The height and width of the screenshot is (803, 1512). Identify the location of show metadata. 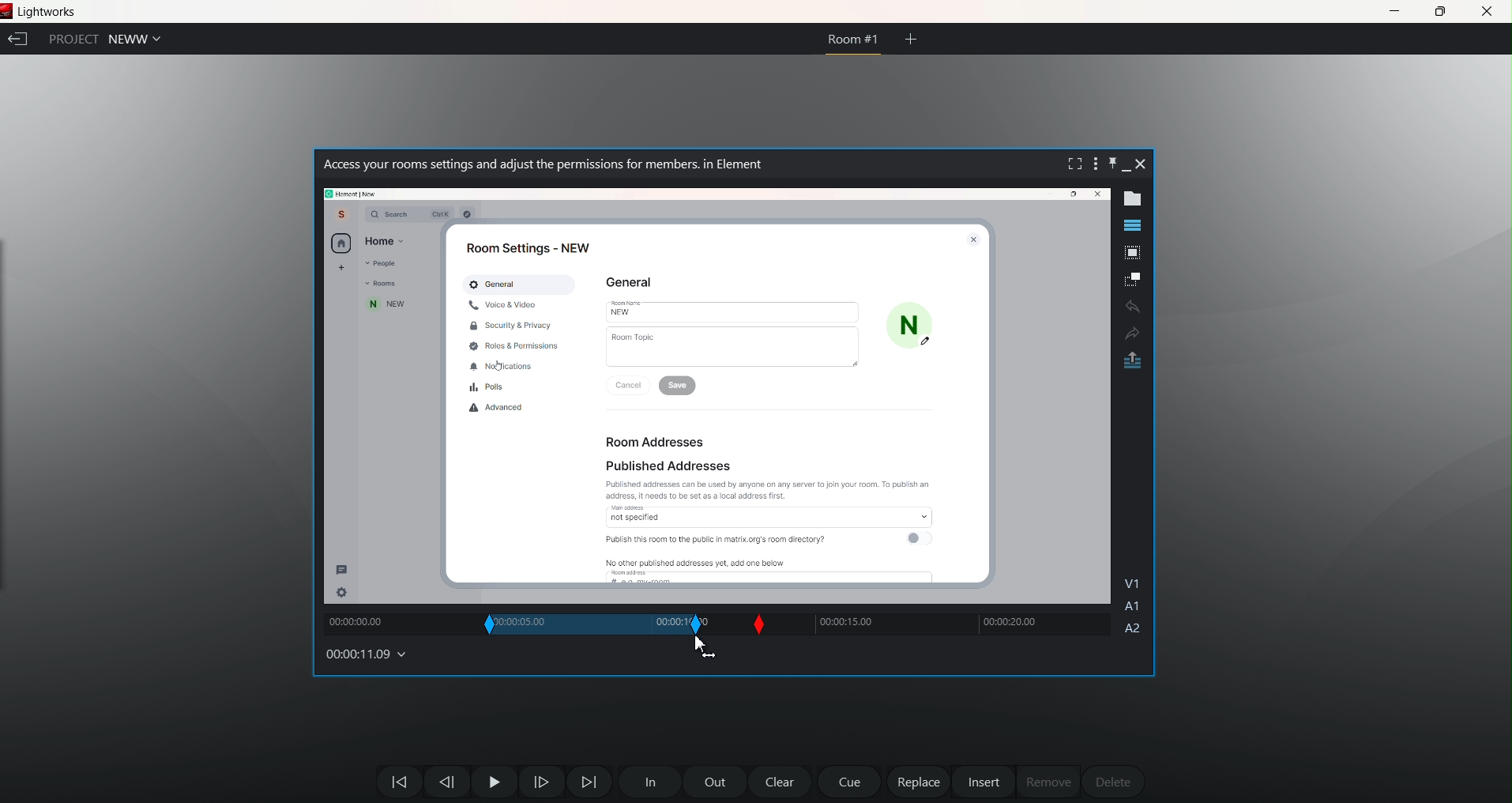
(1130, 200).